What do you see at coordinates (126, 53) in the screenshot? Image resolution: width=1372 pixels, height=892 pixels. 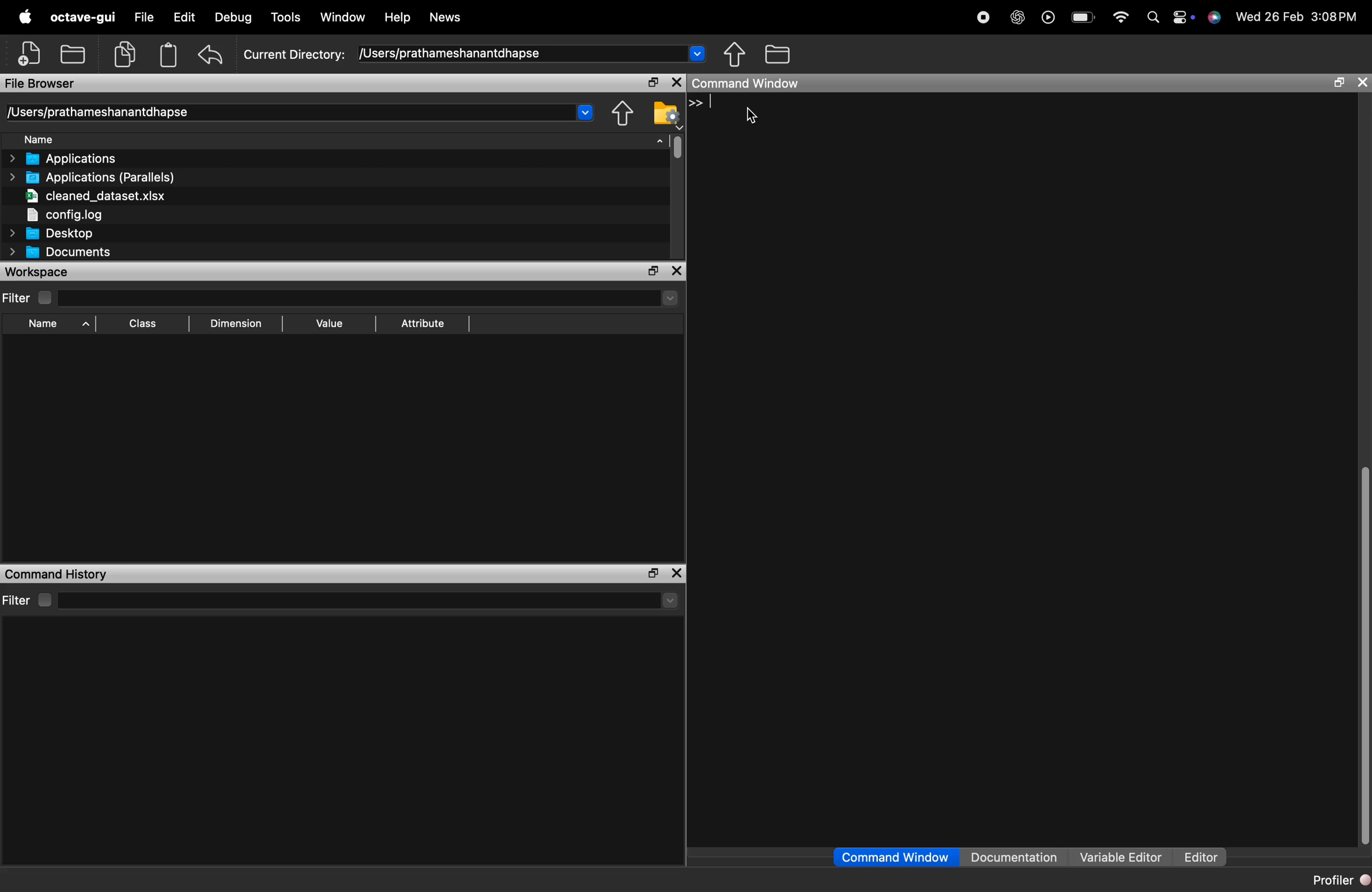 I see `copy` at bounding box center [126, 53].